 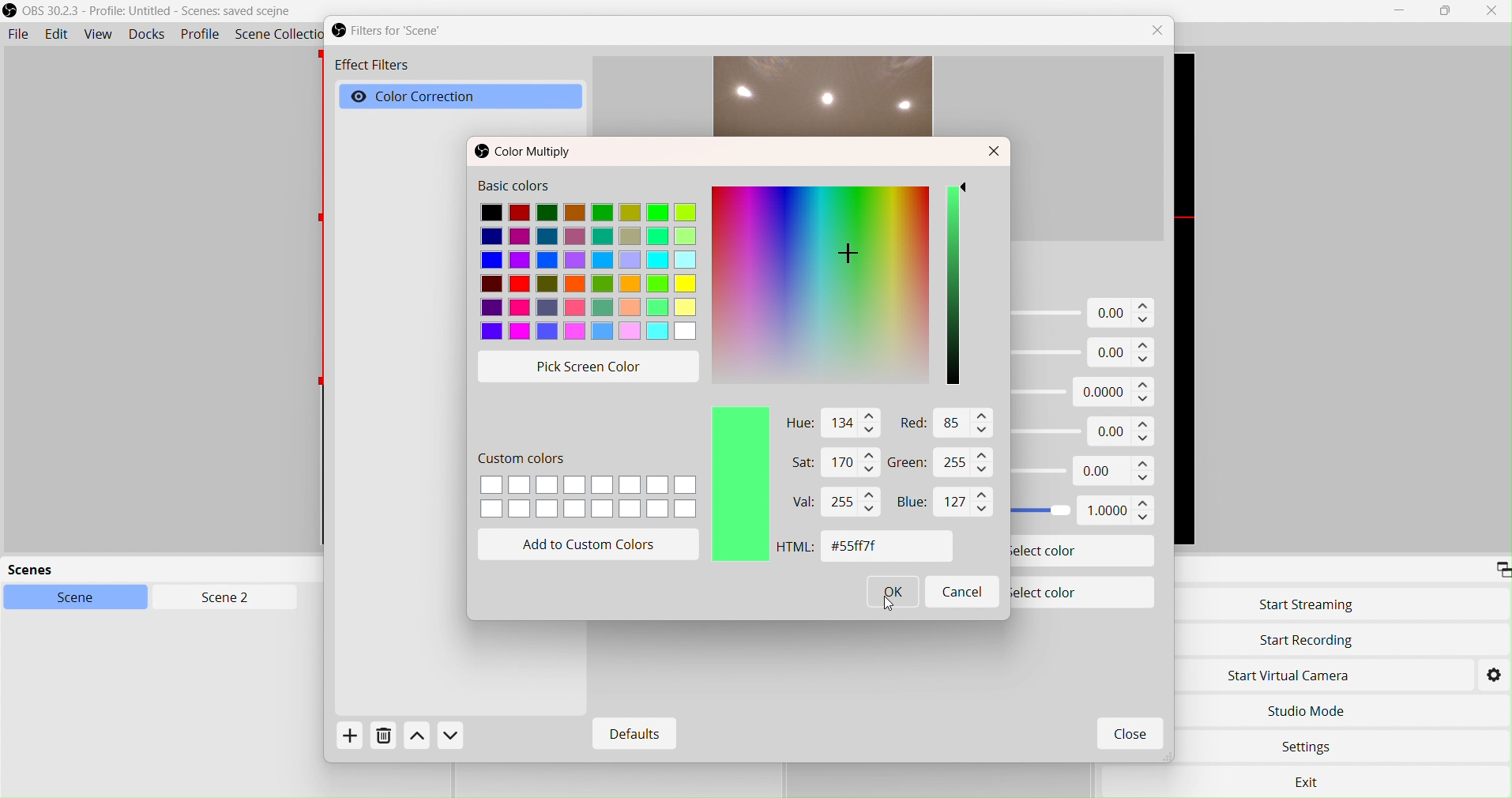 I want to click on Pick Screen Color, so click(x=592, y=364).